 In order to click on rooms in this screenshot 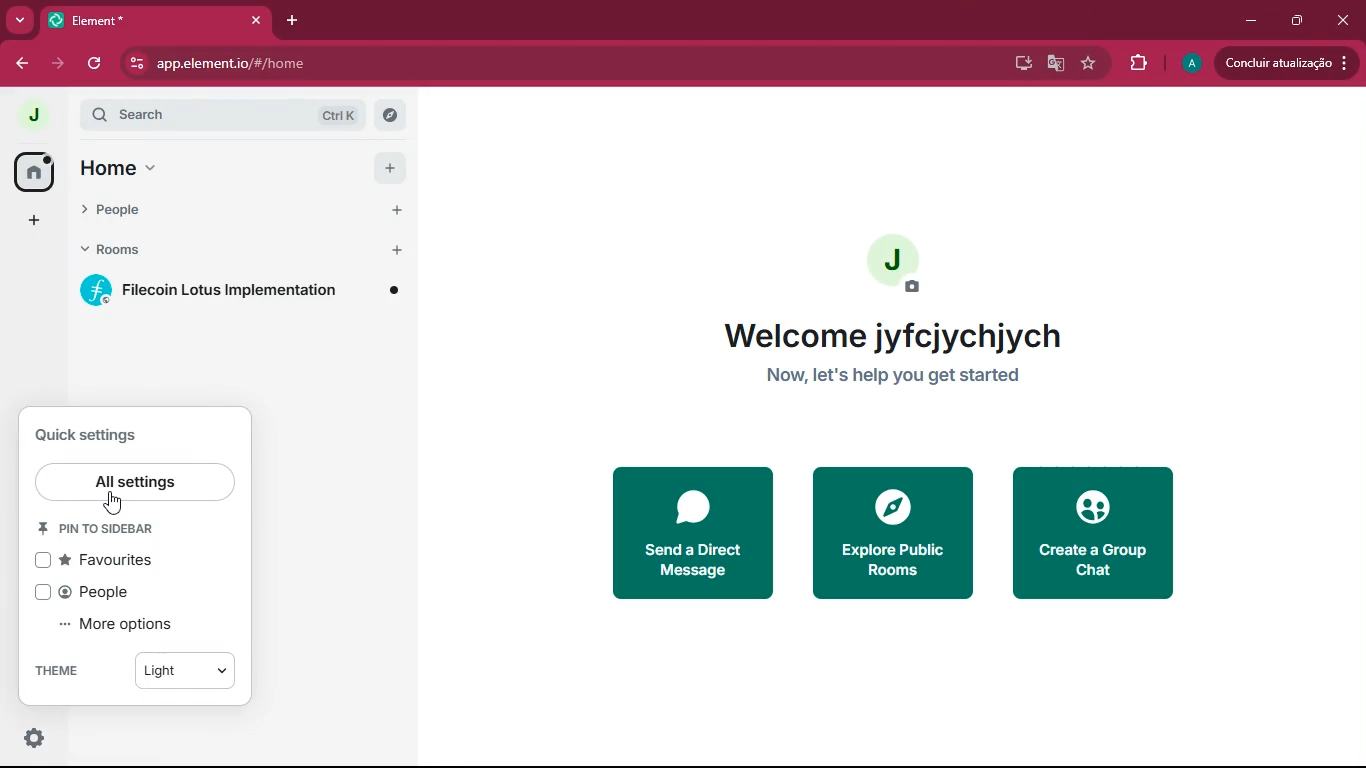, I will do `click(242, 250)`.